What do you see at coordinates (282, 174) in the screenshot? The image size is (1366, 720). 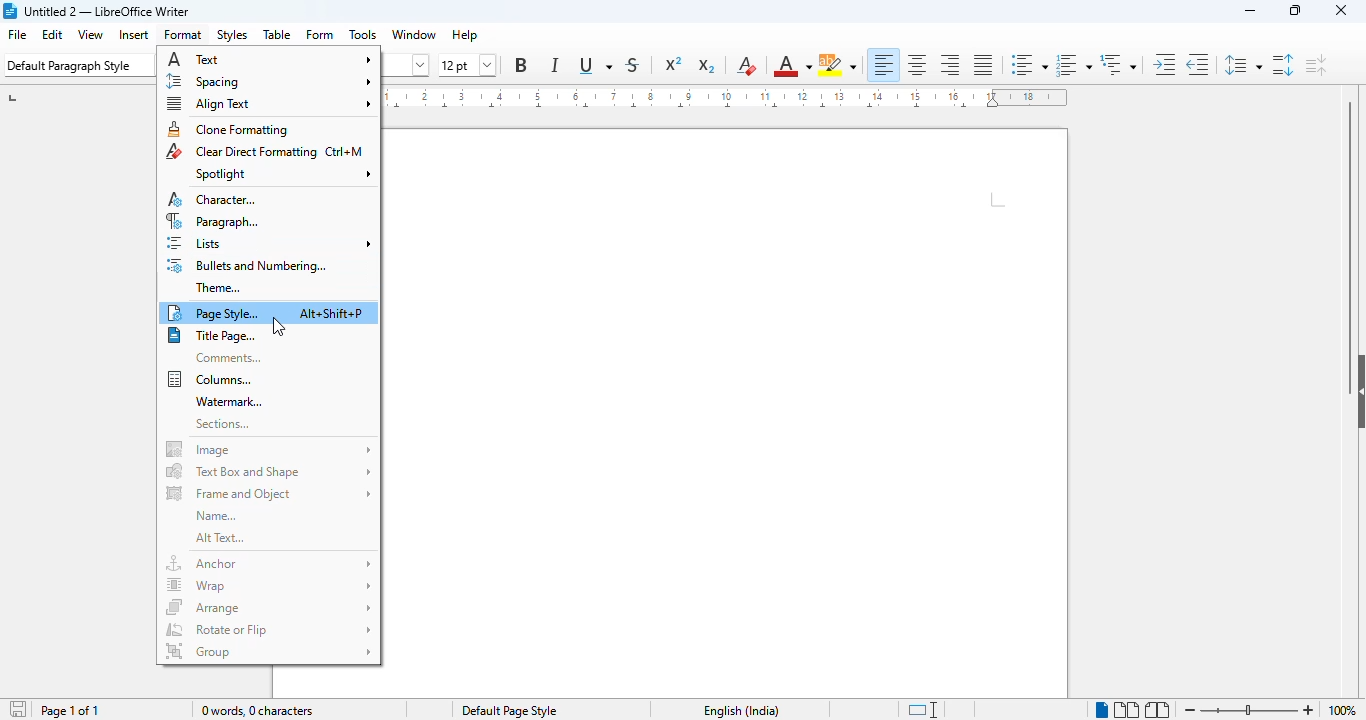 I see `spotlight` at bounding box center [282, 174].